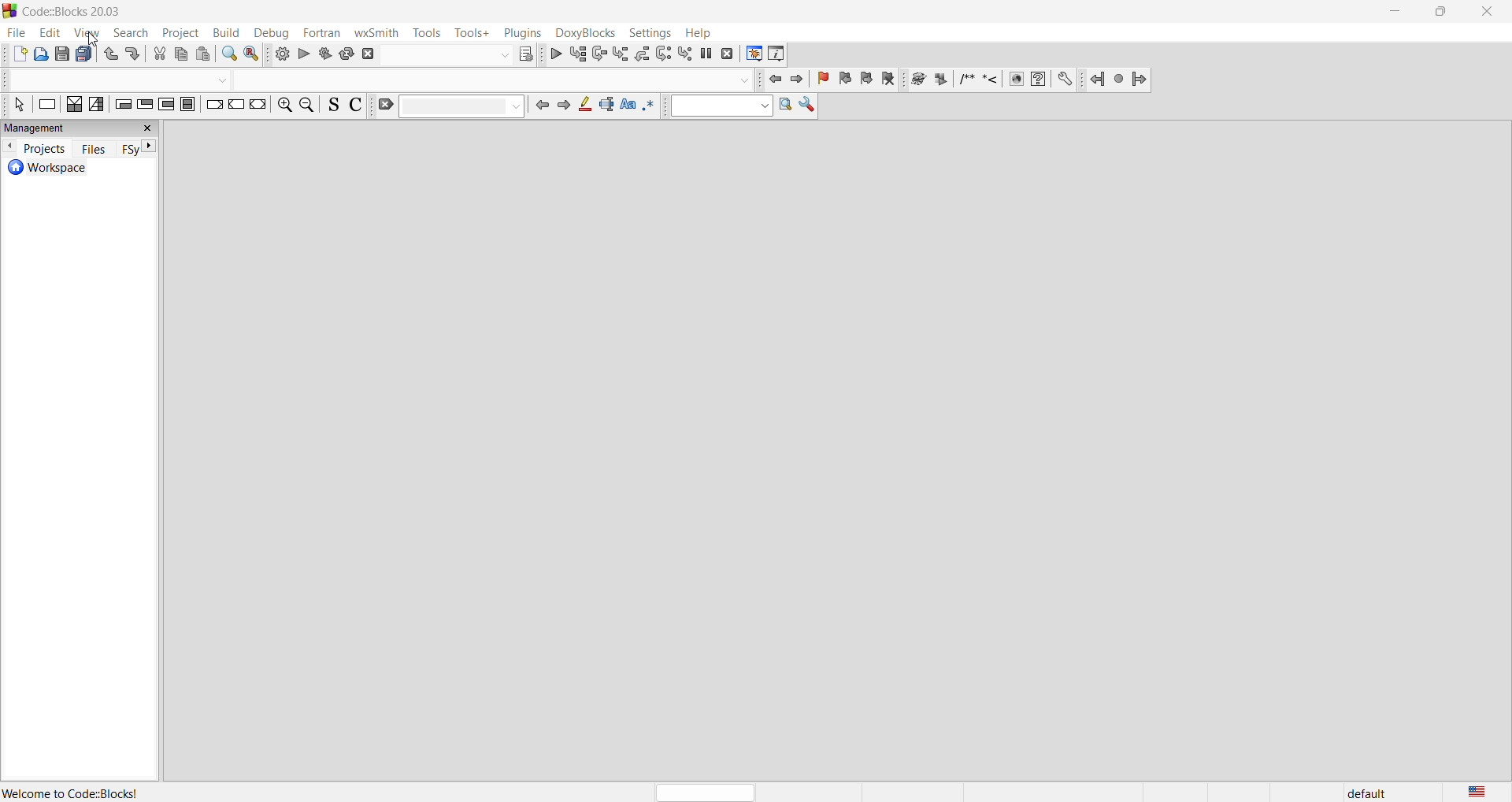  I want to click on , so click(75, 105).